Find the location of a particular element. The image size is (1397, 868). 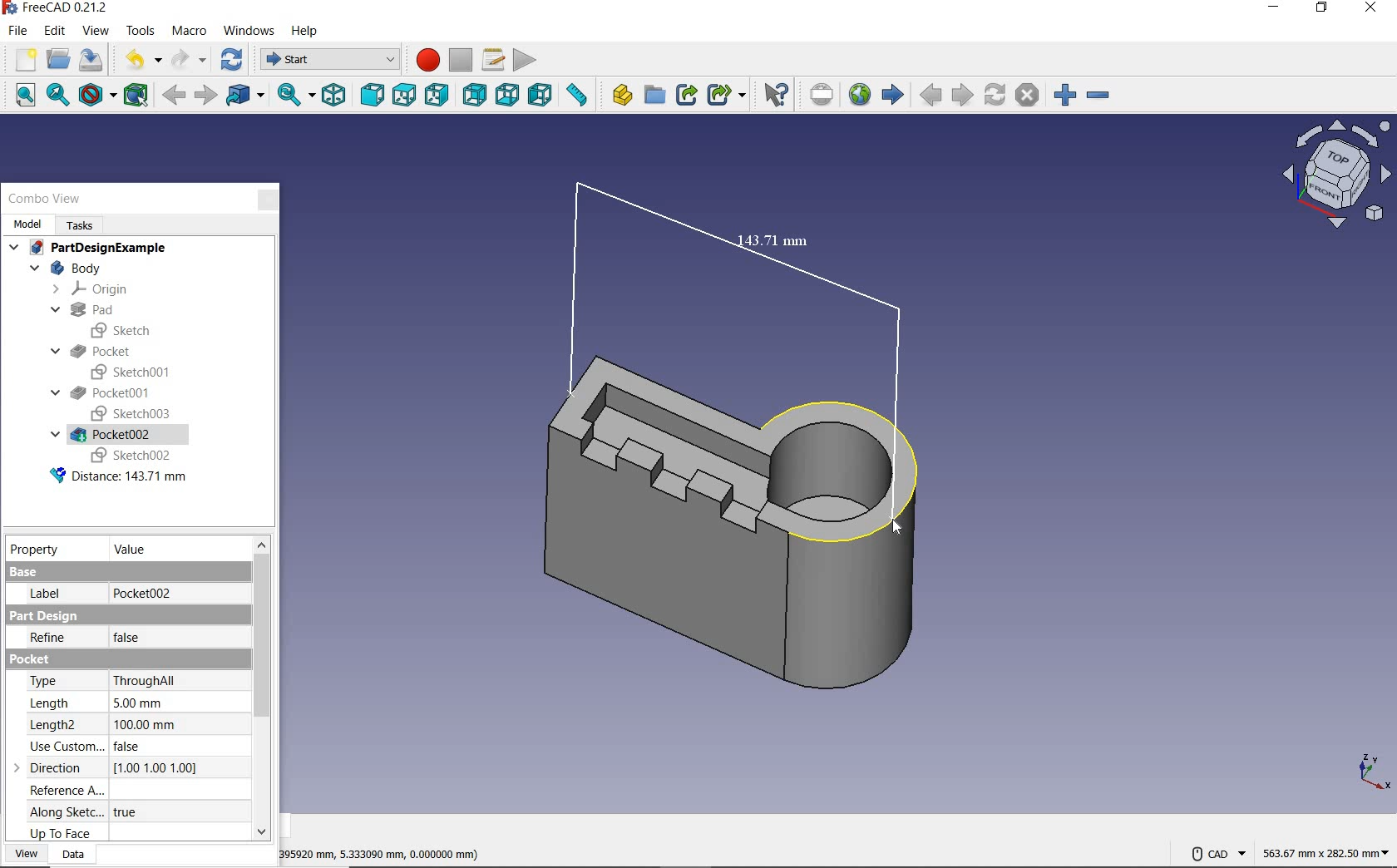

MODEL is located at coordinates (27, 224).